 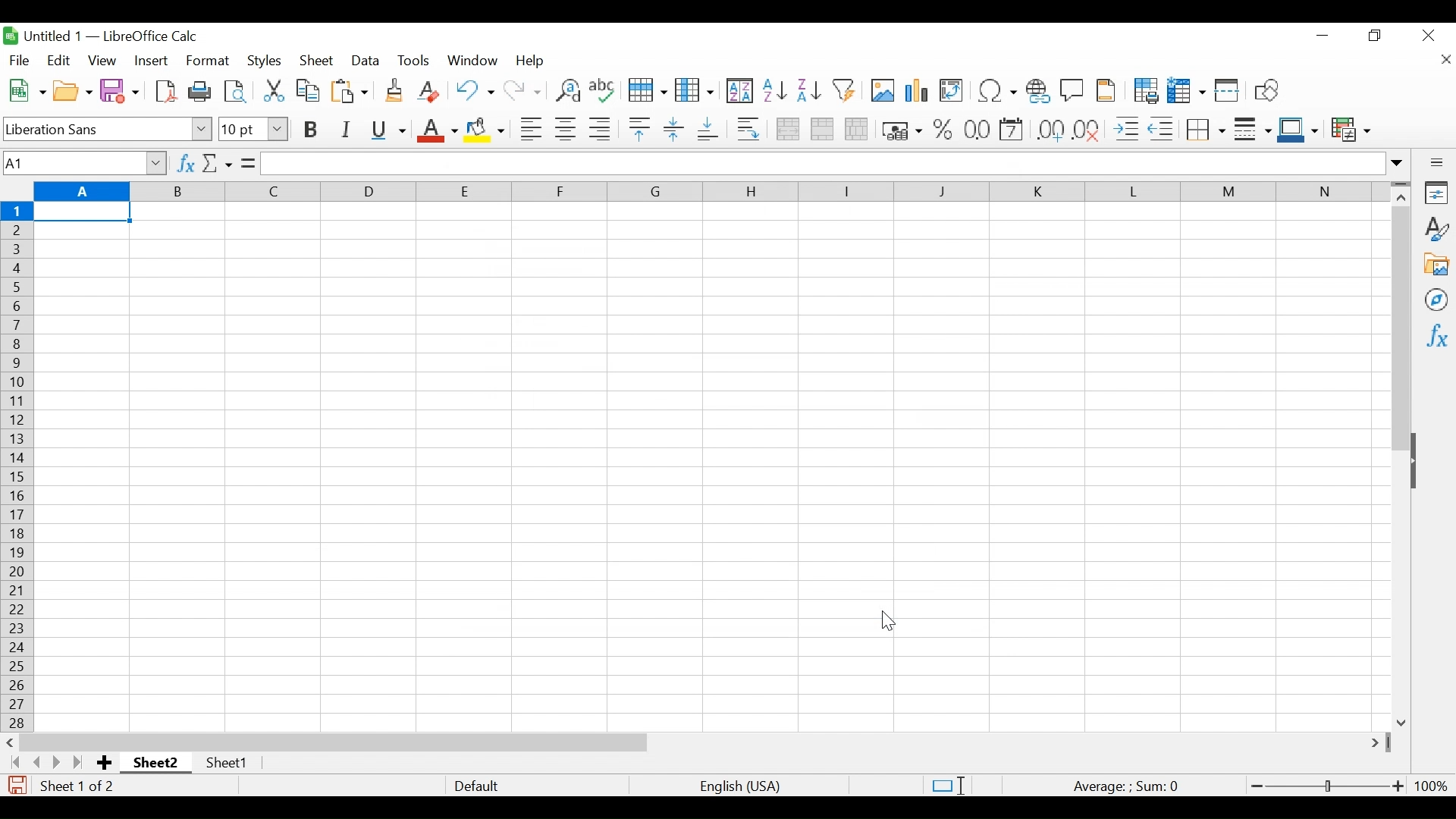 What do you see at coordinates (786, 129) in the screenshot?
I see `Merge and Center` at bounding box center [786, 129].